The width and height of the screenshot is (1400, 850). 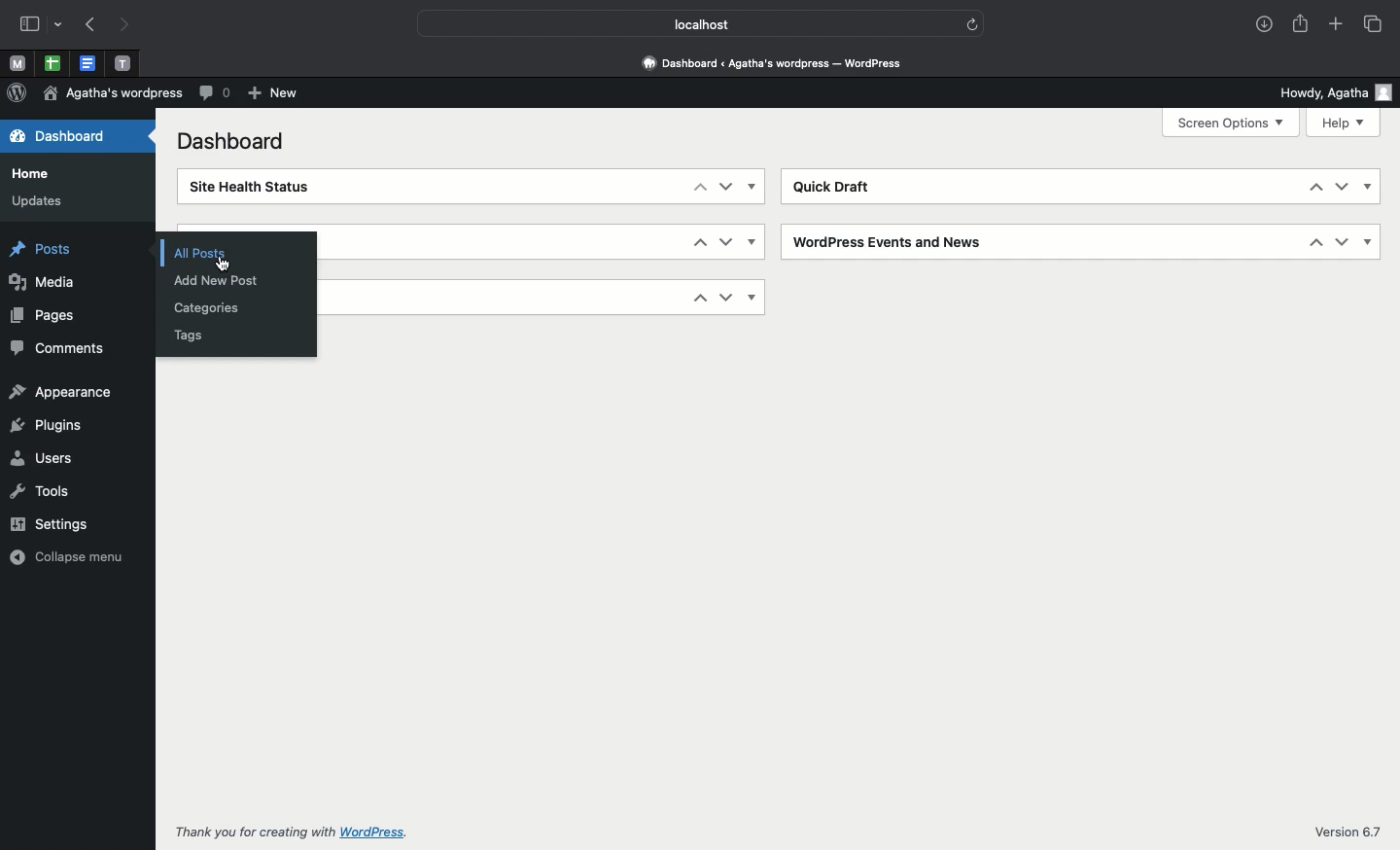 I want to click on Thank you for creating with, so click(x=247, y=833).